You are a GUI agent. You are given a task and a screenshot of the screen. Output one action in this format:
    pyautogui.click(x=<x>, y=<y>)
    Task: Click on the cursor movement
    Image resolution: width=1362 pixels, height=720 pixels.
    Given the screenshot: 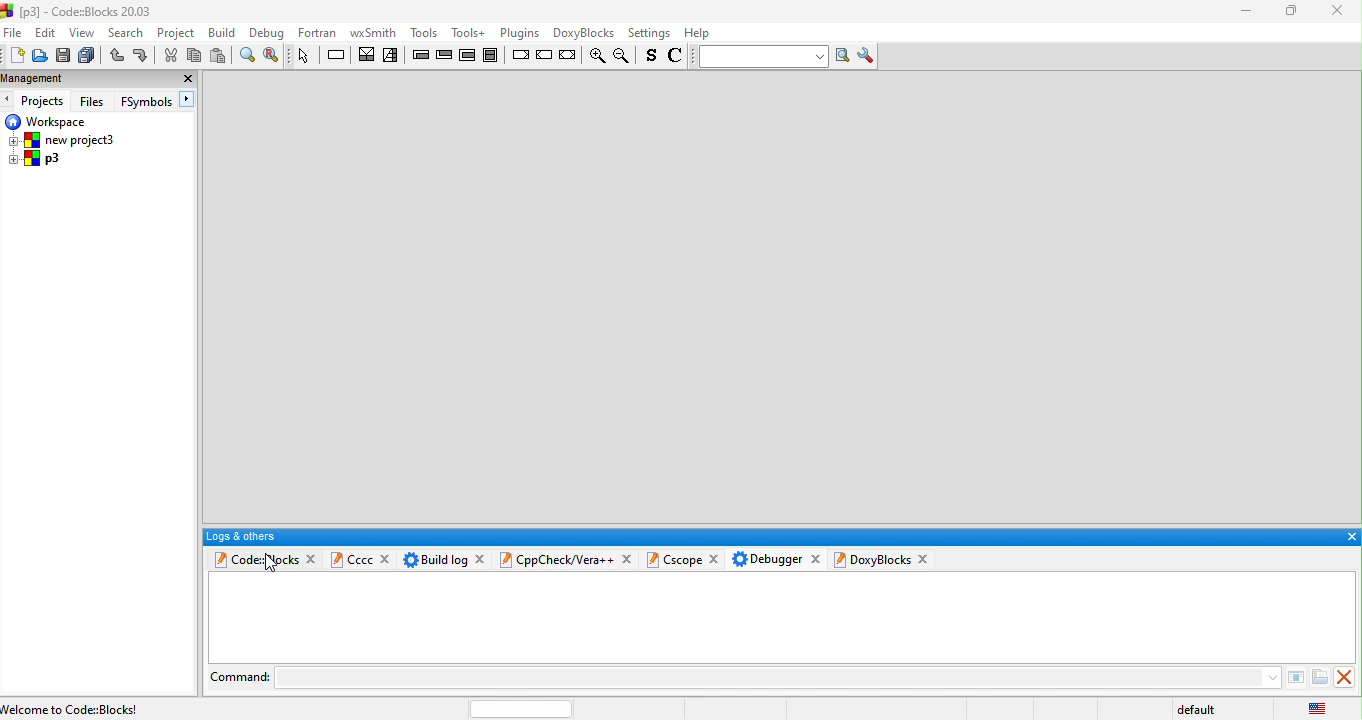 What is the action you would take?
    pyautogui.click(x=271, y=563)
    